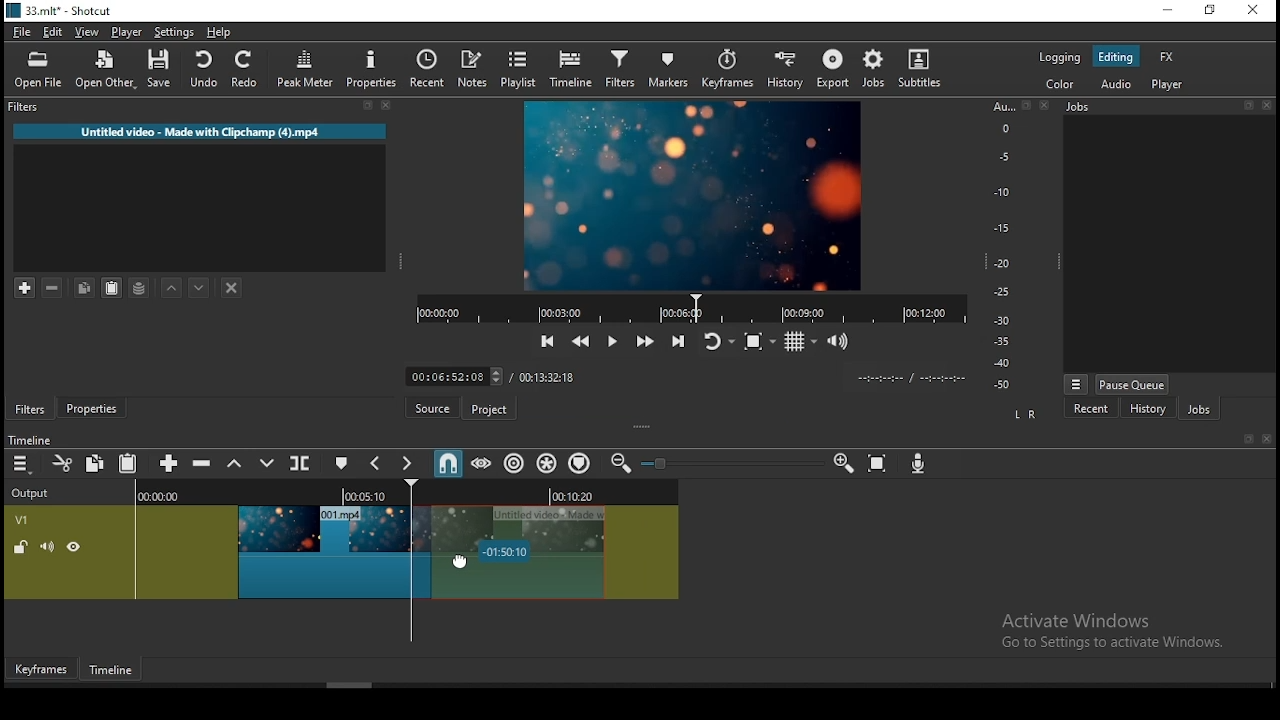 This screenshot has width=1280, height=720. I want to click on ripple all tracks, so click(547, 462).